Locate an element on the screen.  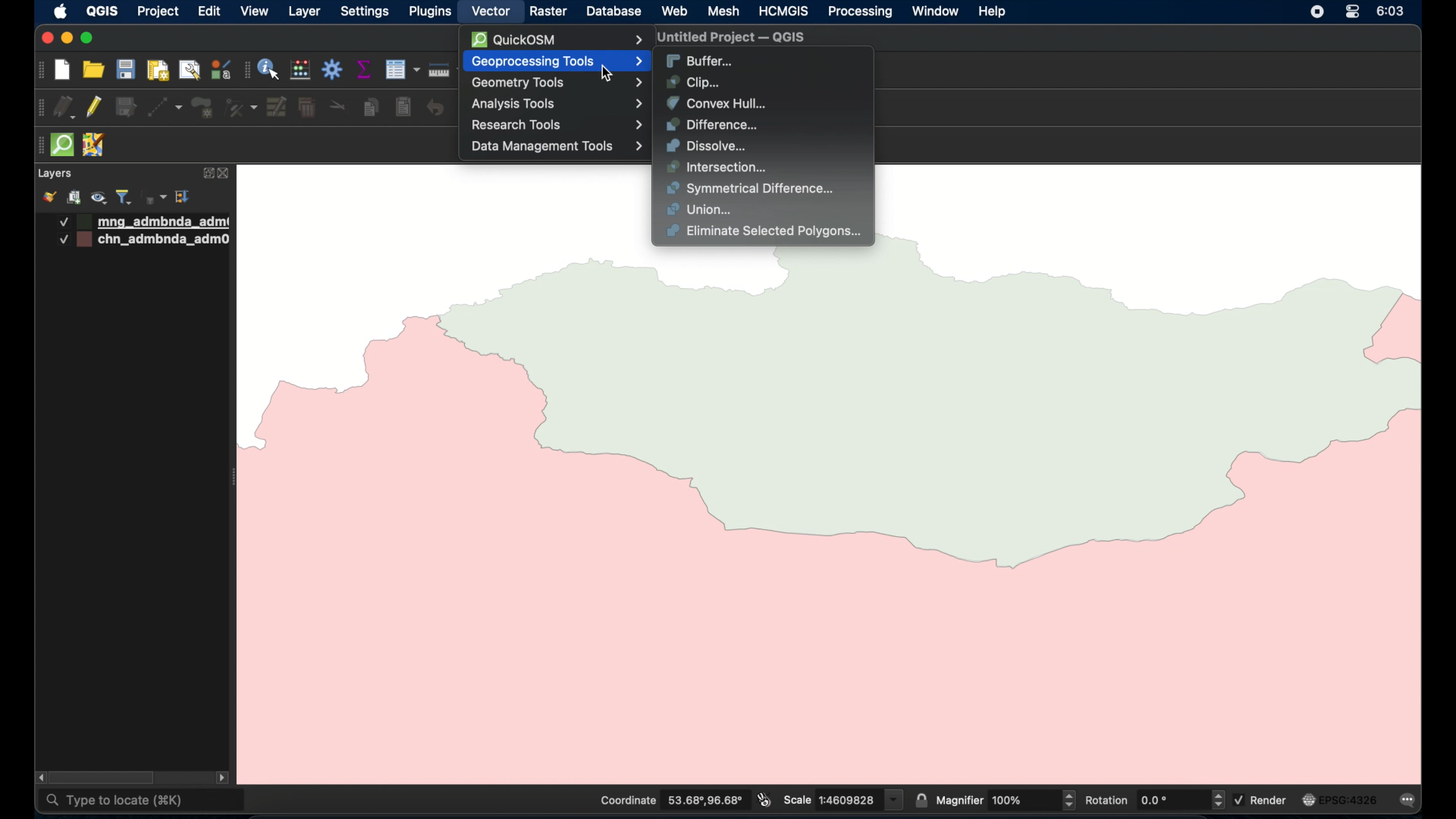
edit is located at coordinates (209, 11).